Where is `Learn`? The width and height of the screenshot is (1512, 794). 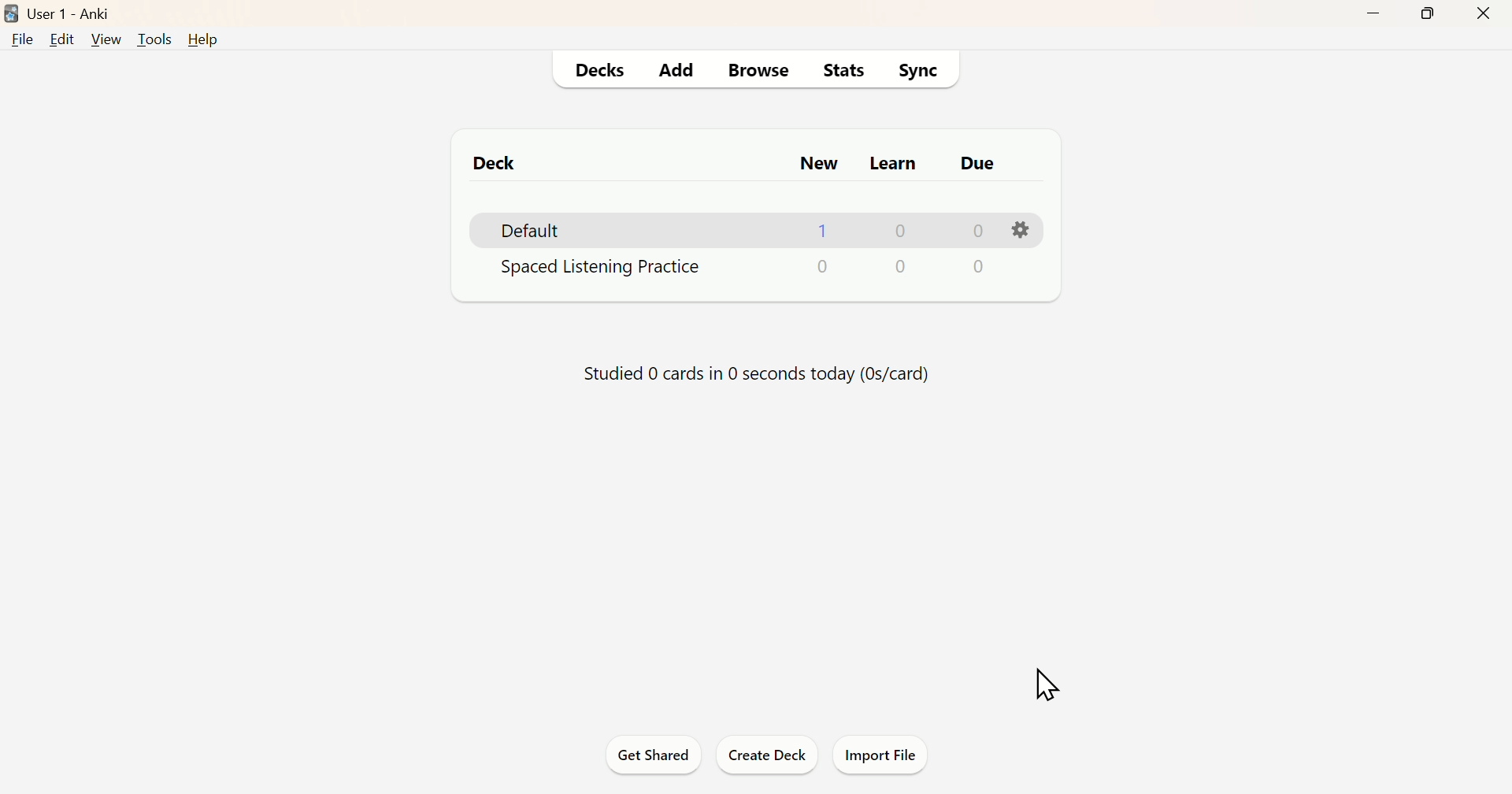
Learn is located at coordinates (891, 164).